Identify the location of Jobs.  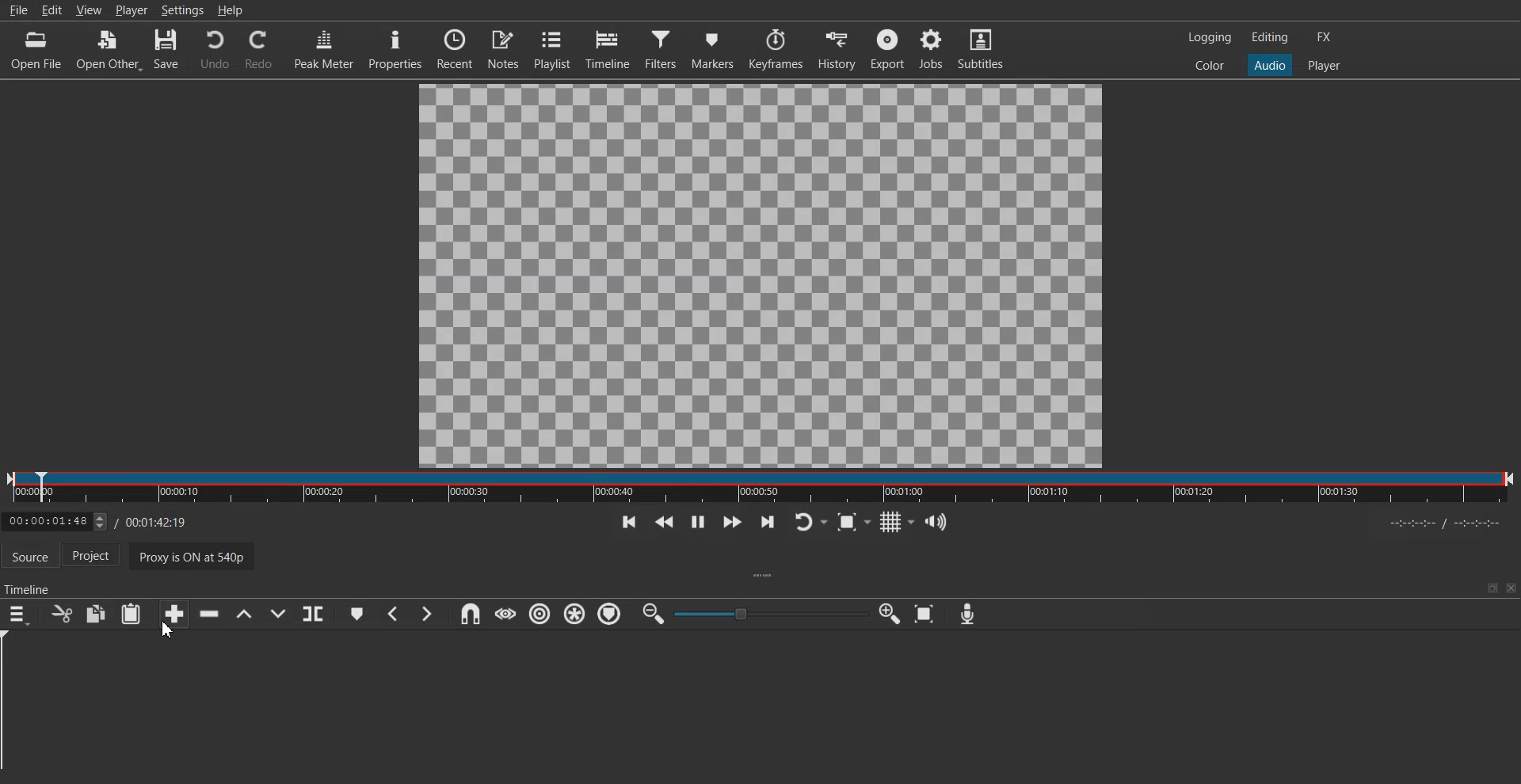
(932, 49).